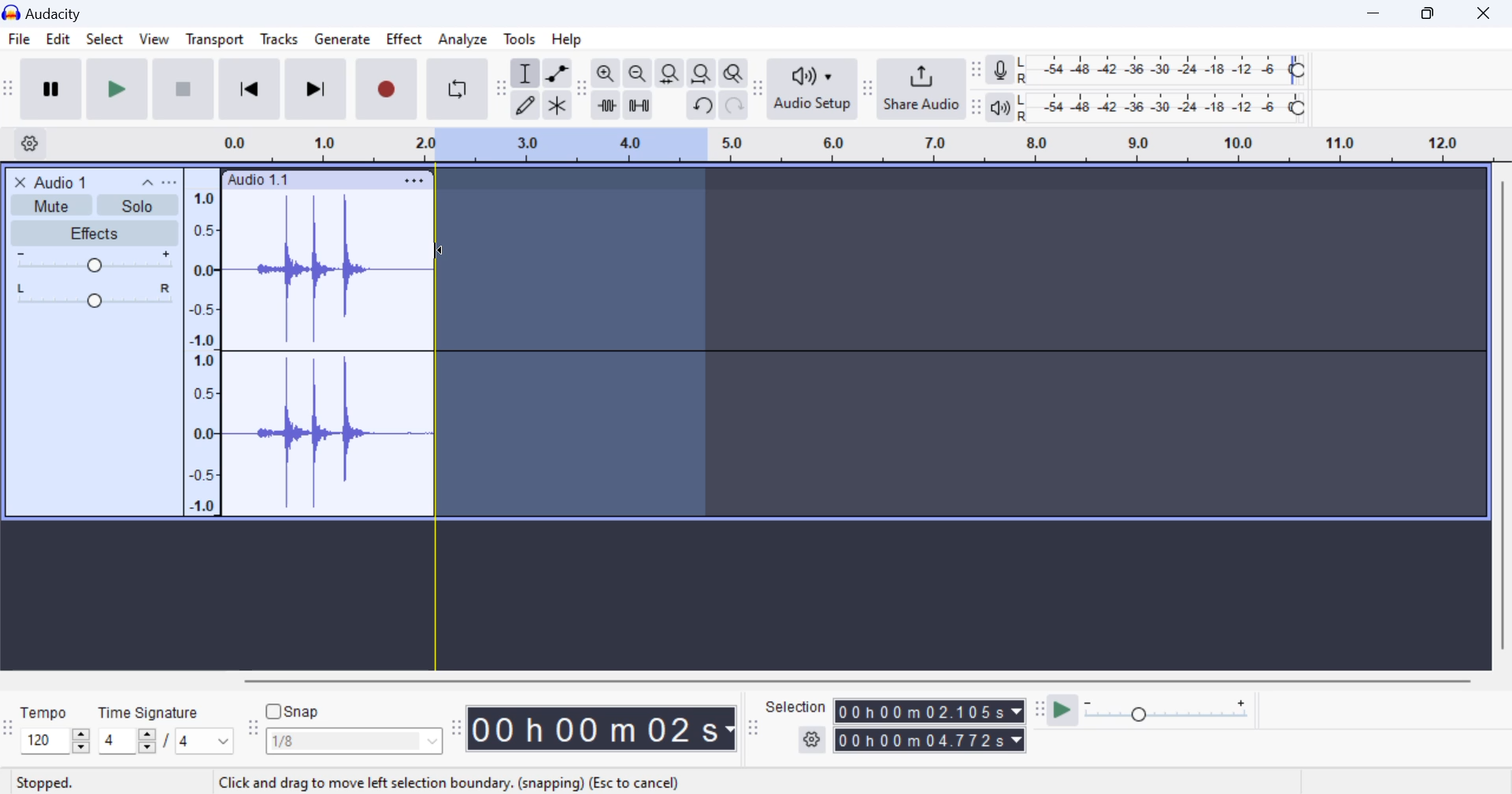  I want to click on Effects, so click(93, 233).